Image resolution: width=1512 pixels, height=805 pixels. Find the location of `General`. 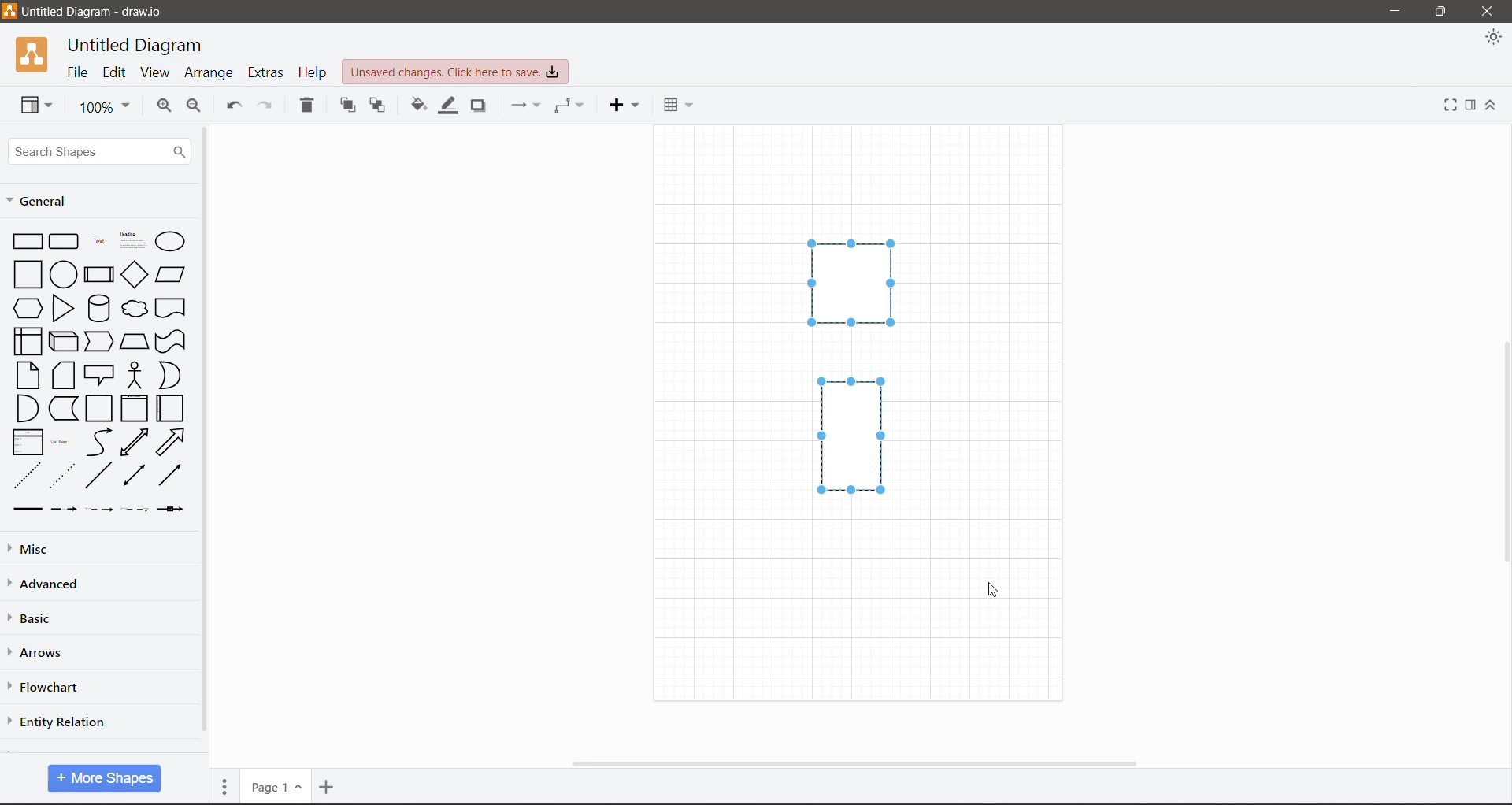

General is located at coordinates (48, 203).